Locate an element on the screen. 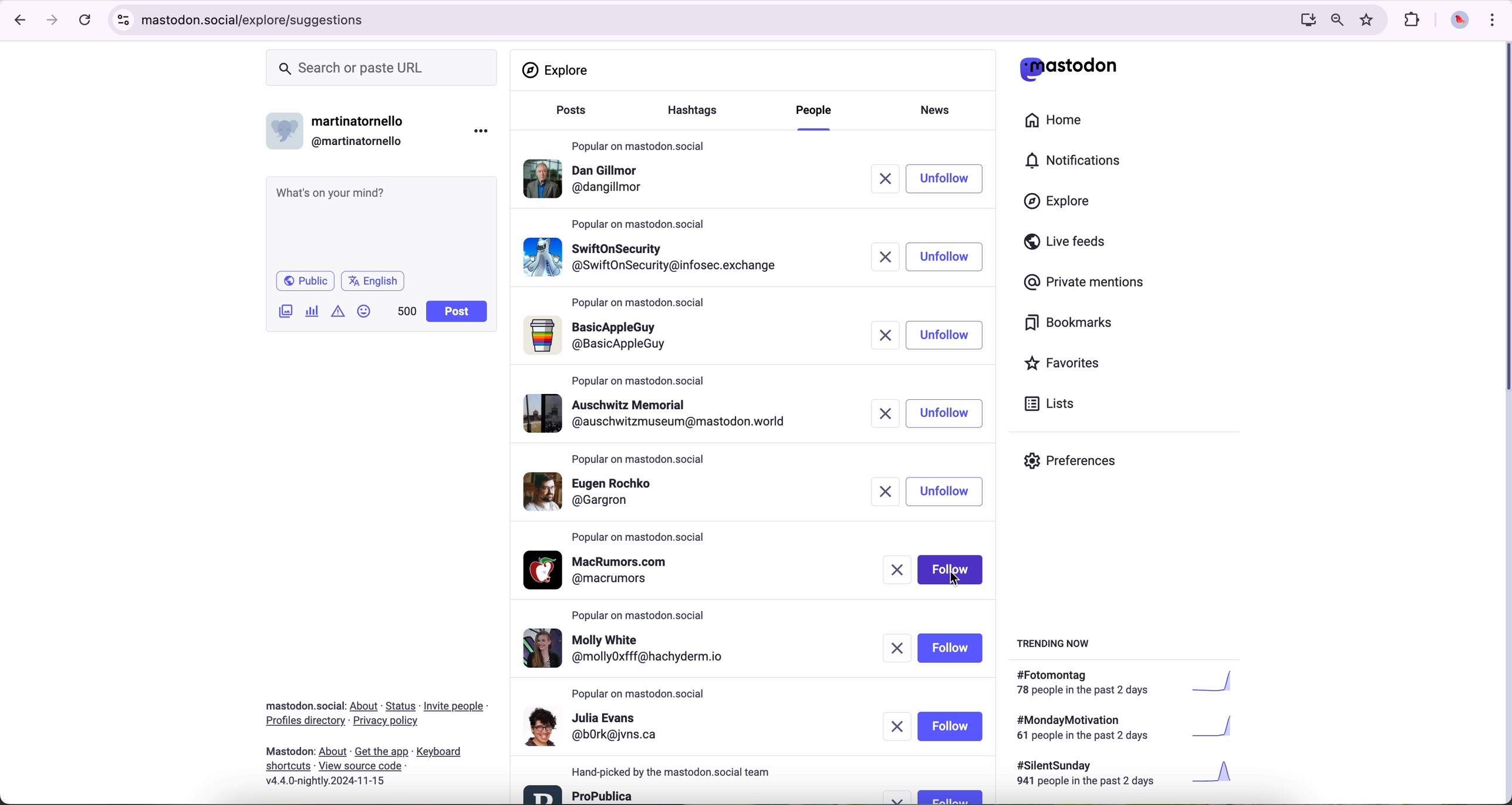  profile is located at coordinates (603, 490).